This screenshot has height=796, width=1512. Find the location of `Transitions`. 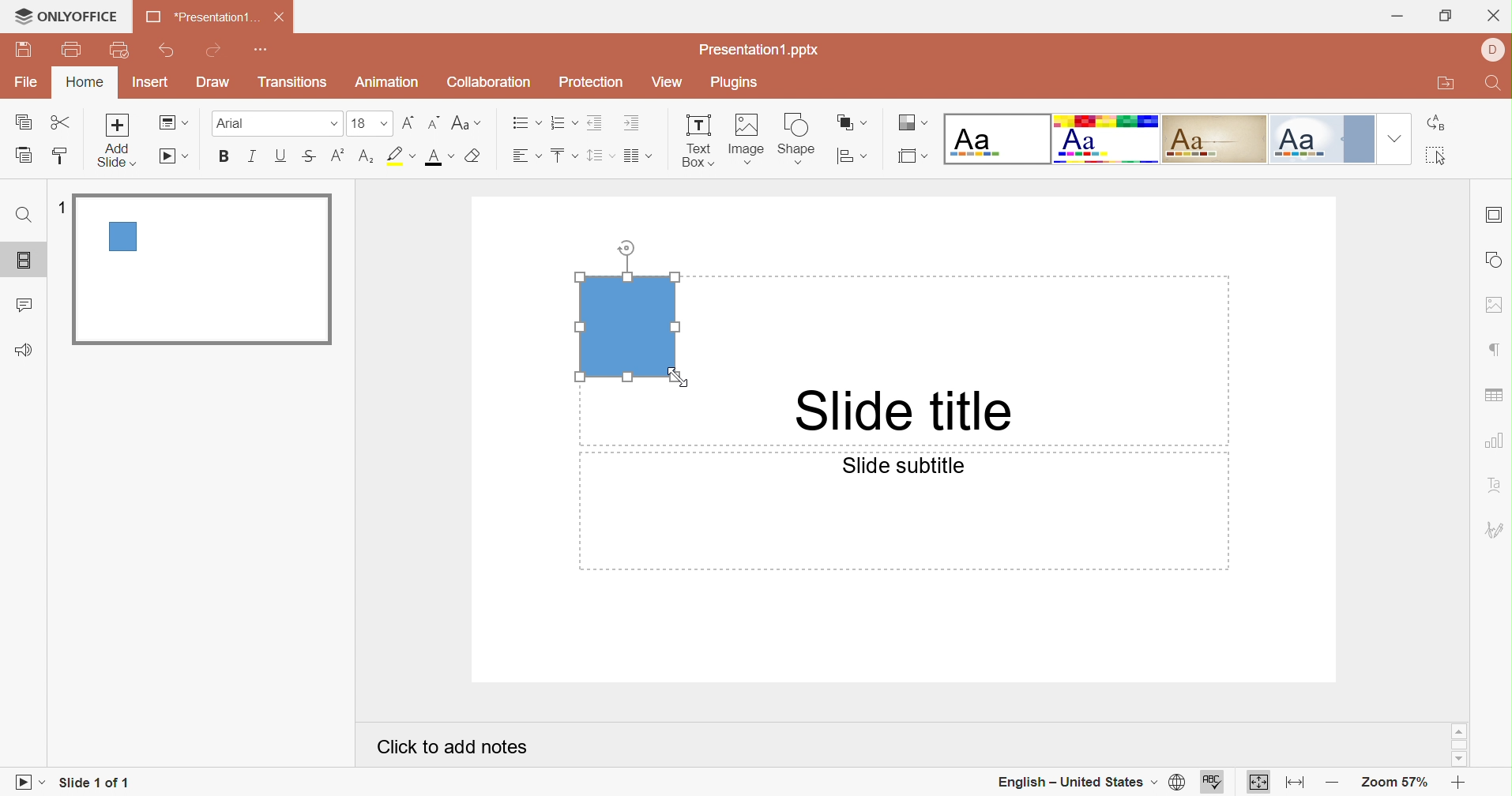

Transitions is located at coordinates (294, 82).